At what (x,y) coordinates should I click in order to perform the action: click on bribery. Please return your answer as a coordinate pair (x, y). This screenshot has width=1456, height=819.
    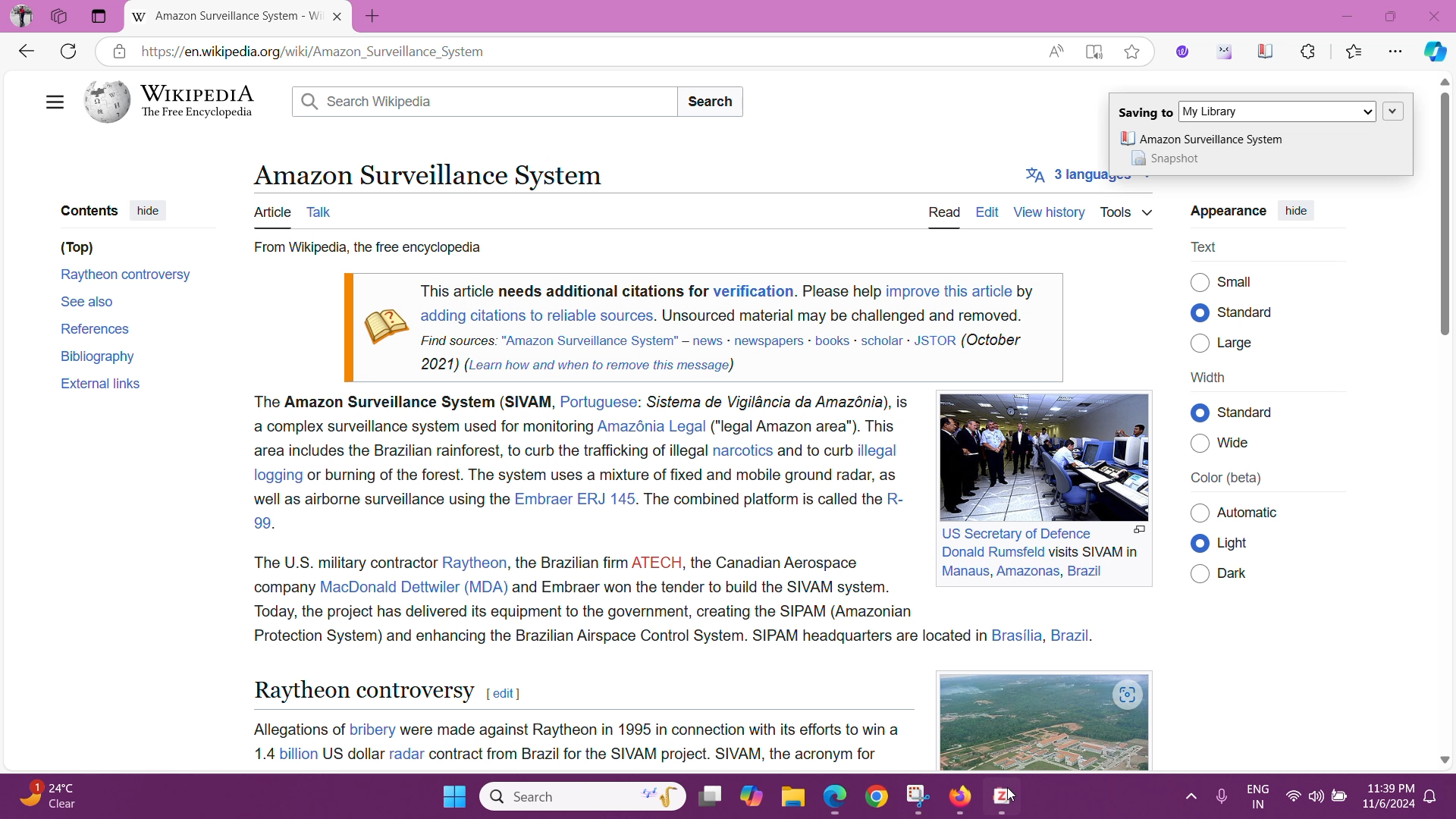
    Looking at the image, I should click on (373, 728).